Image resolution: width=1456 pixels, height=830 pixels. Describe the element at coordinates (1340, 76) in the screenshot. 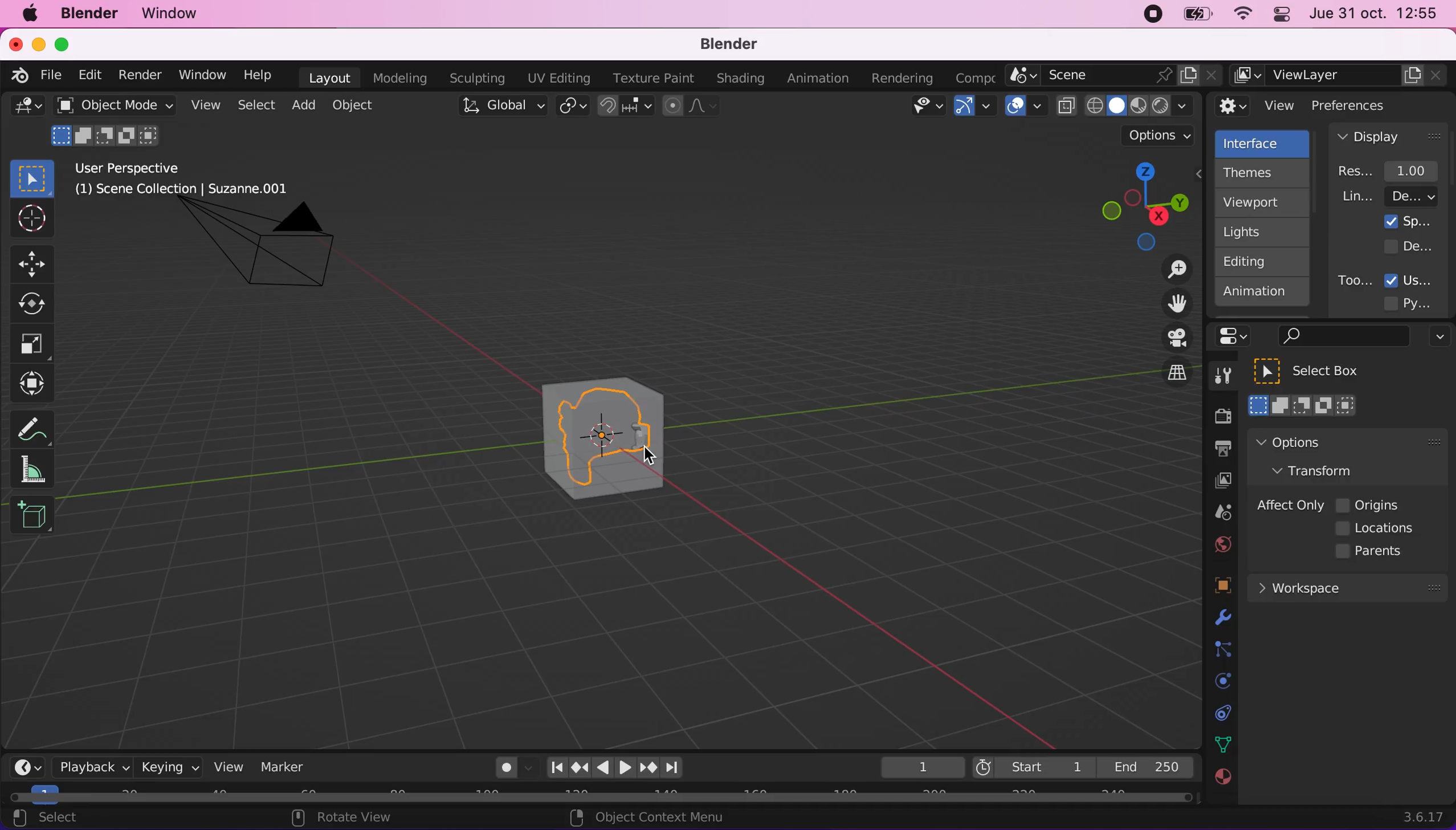

I see `view layer` at that location.